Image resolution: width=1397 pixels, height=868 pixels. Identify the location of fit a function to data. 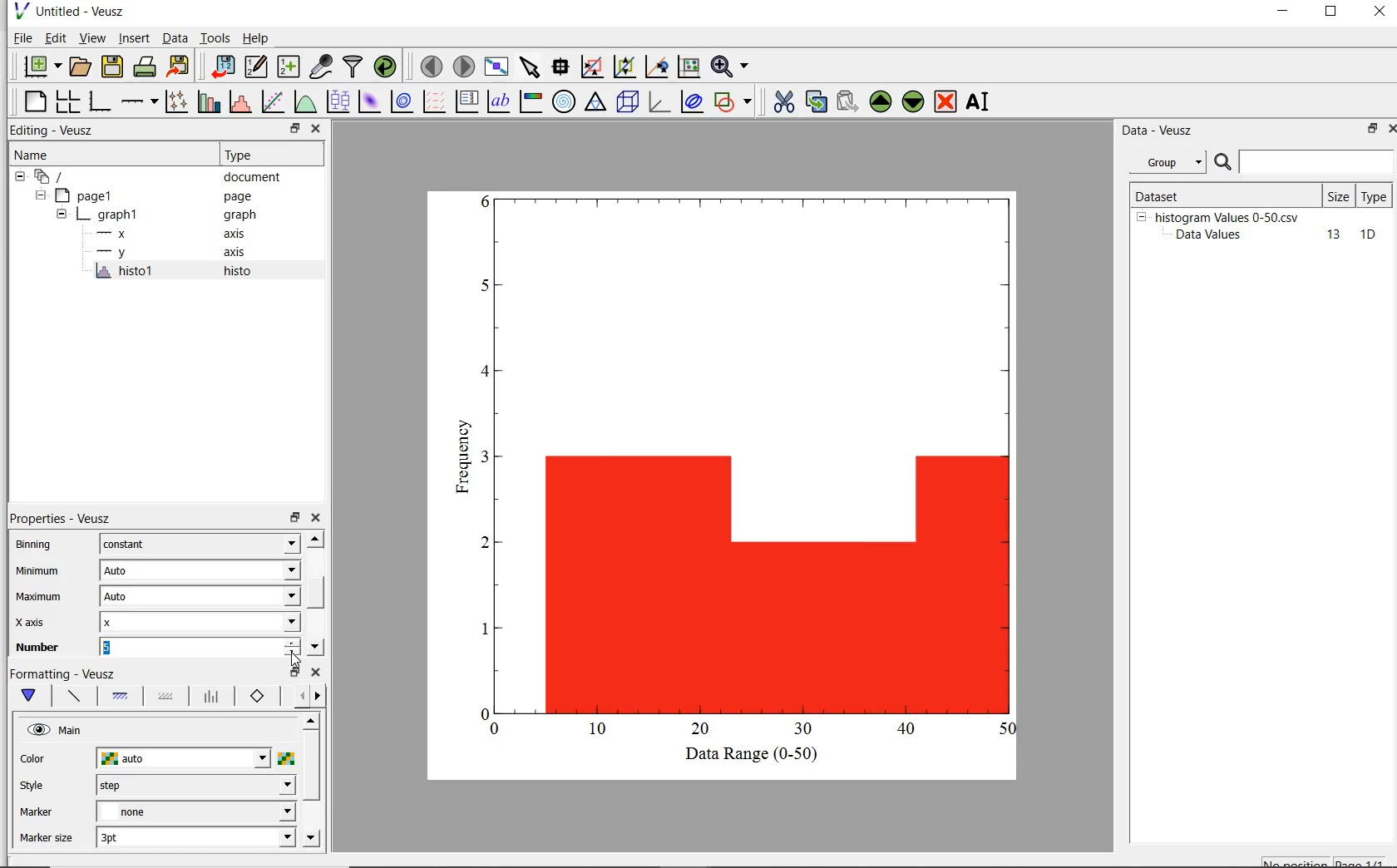
(274, 101).